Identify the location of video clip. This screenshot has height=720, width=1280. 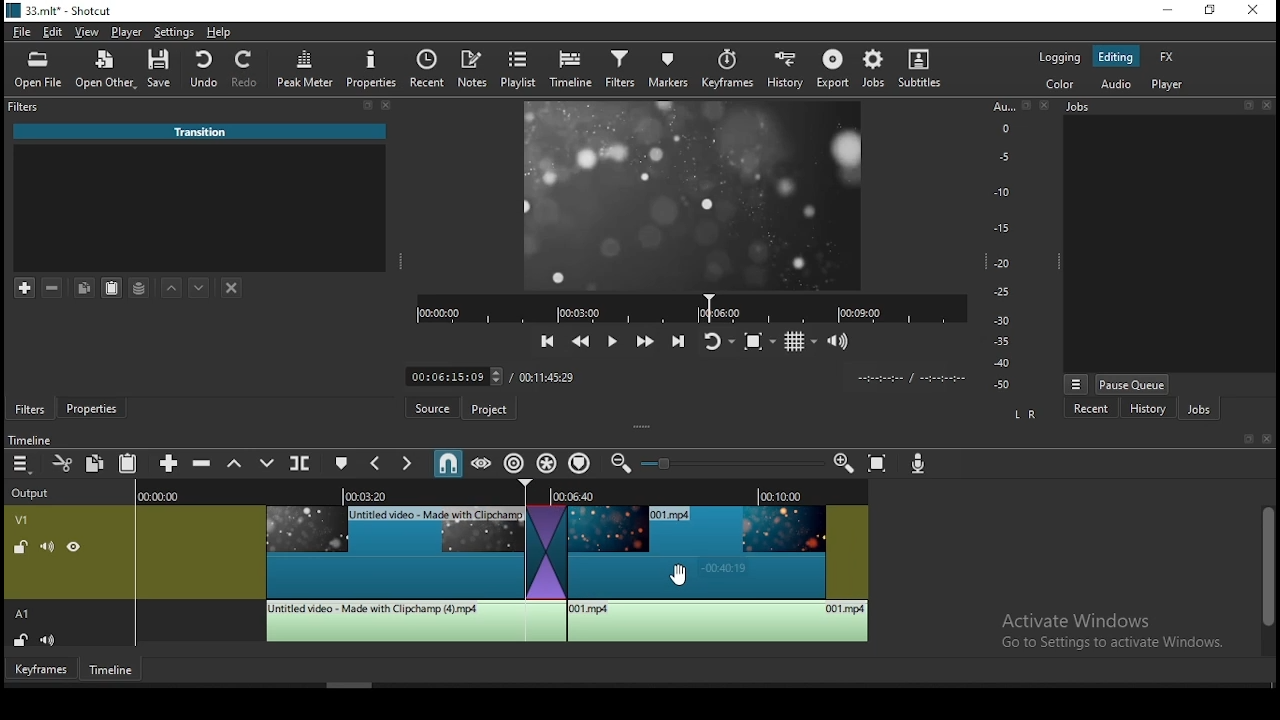
(721, 552).